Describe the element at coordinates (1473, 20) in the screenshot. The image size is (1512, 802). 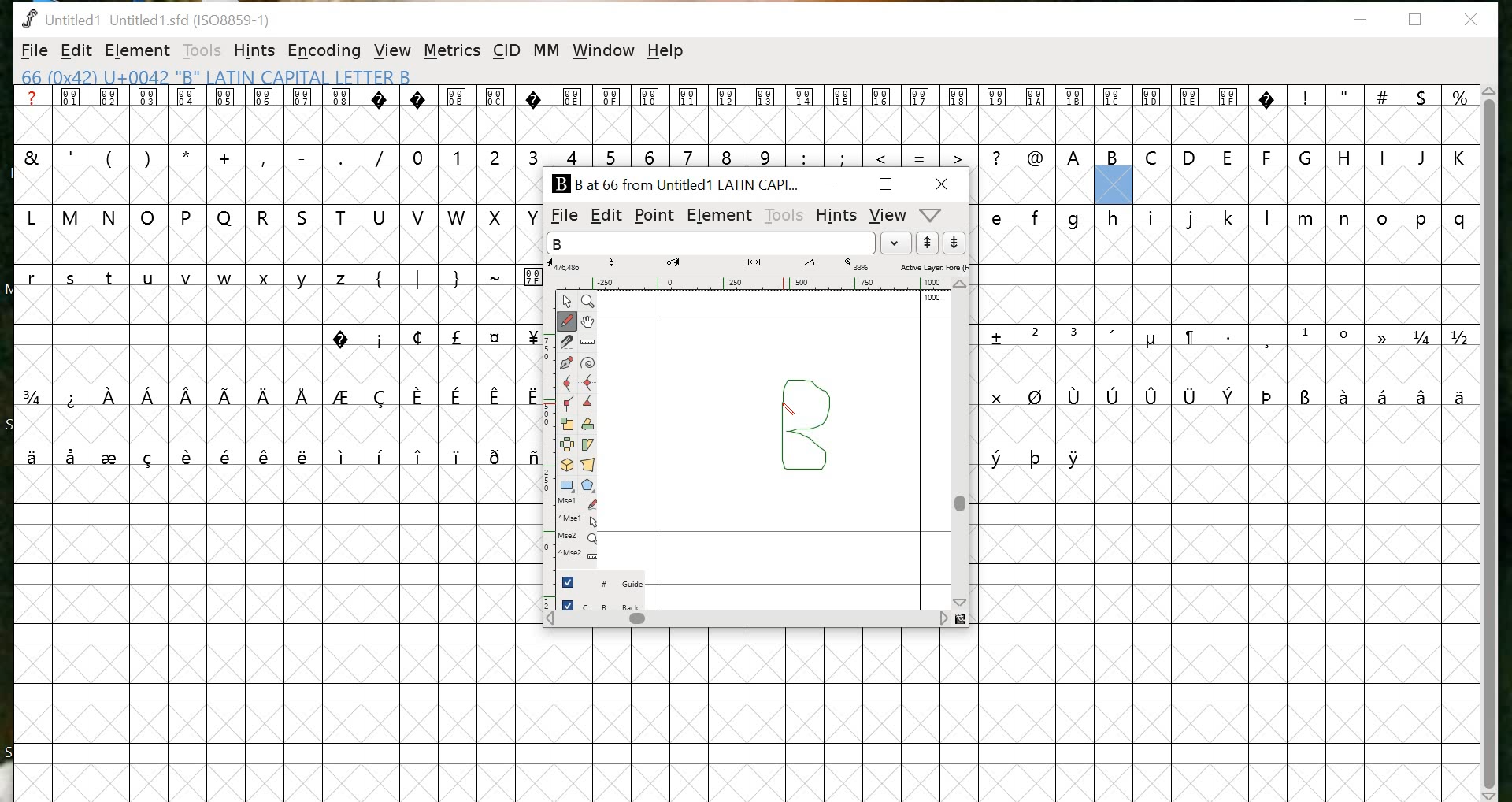
I see `close` at that location.